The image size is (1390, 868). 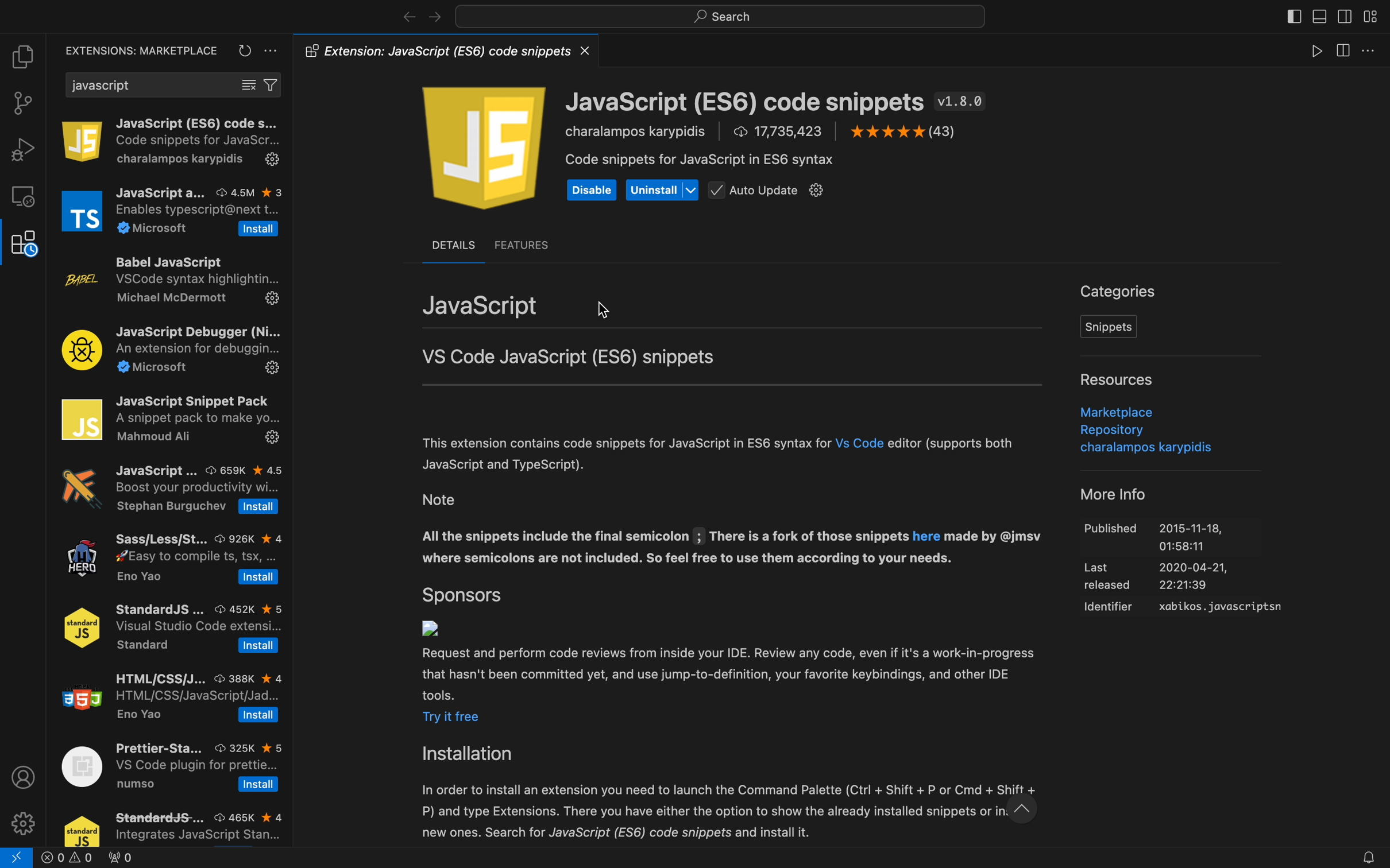 What do you see at coordinates (527, 245) in the screenshot?
I see `features` at bounding box center [527, 245].